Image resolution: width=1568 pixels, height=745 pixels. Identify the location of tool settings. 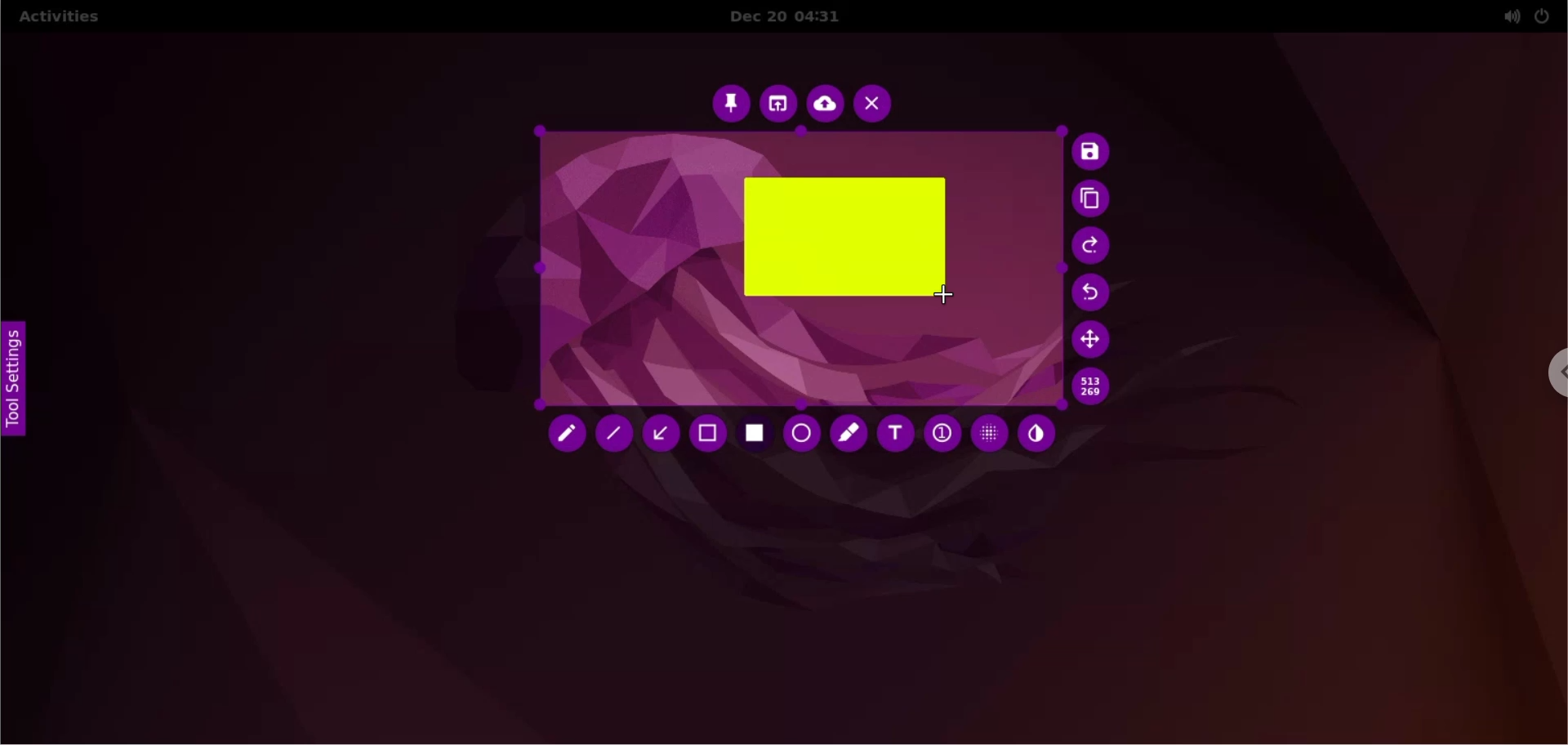
(16, 386).